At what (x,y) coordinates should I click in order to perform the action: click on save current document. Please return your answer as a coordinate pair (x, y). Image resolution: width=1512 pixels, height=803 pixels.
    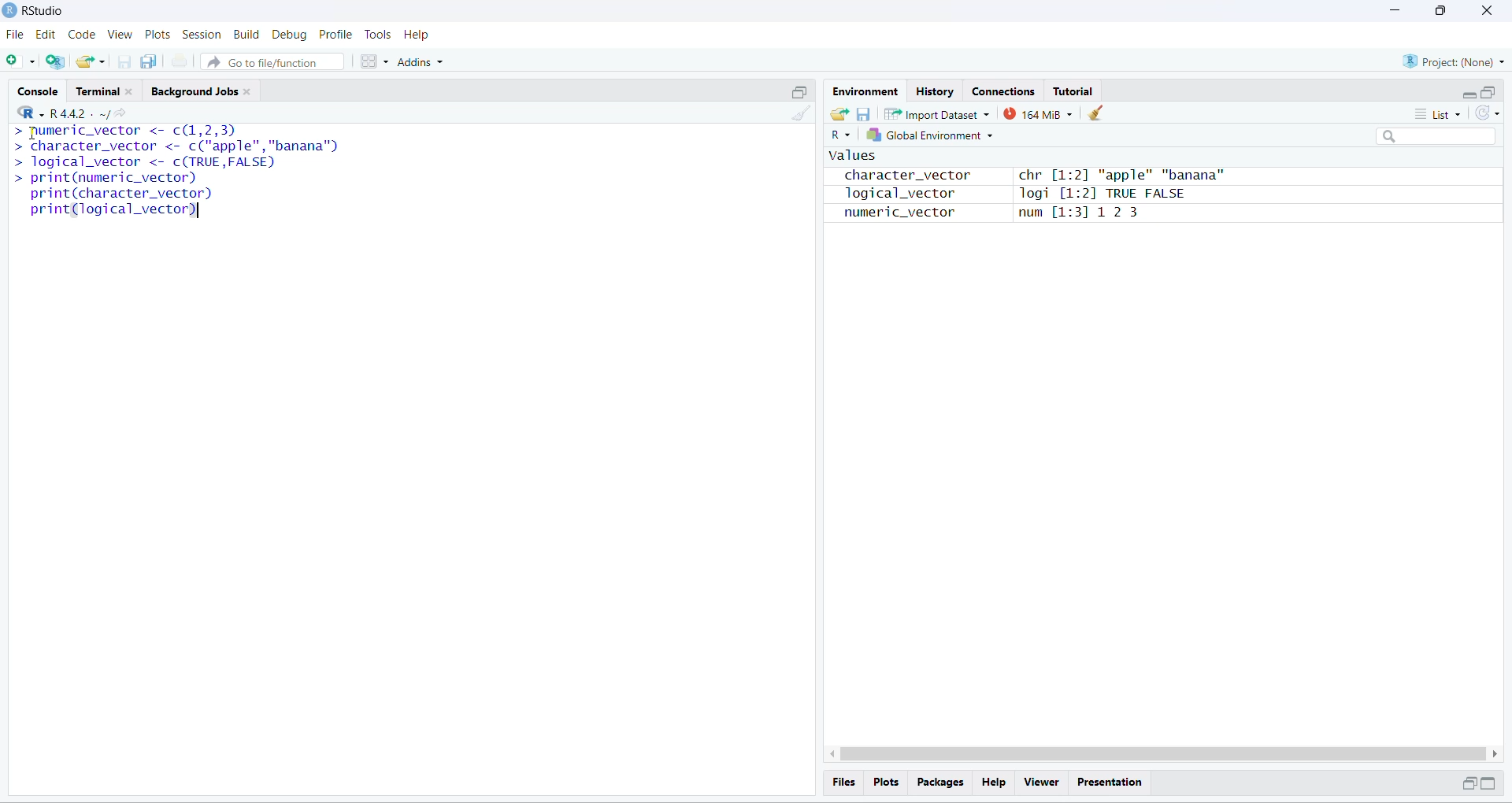
    Looking at the image, I should click on (124, 62).